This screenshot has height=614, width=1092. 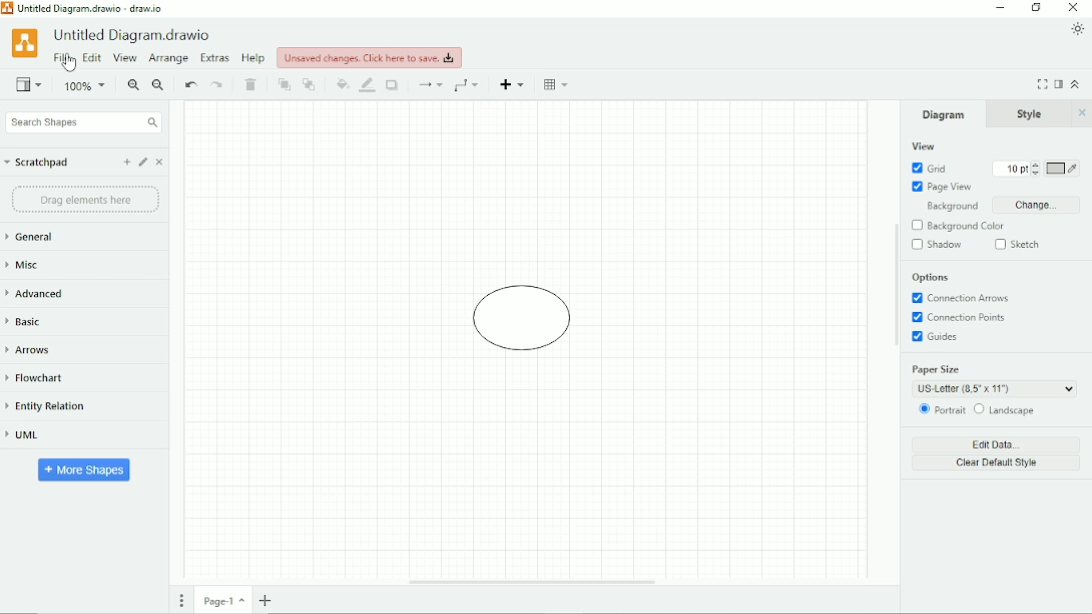 I want to click on Help, so click(x=254, y=57).